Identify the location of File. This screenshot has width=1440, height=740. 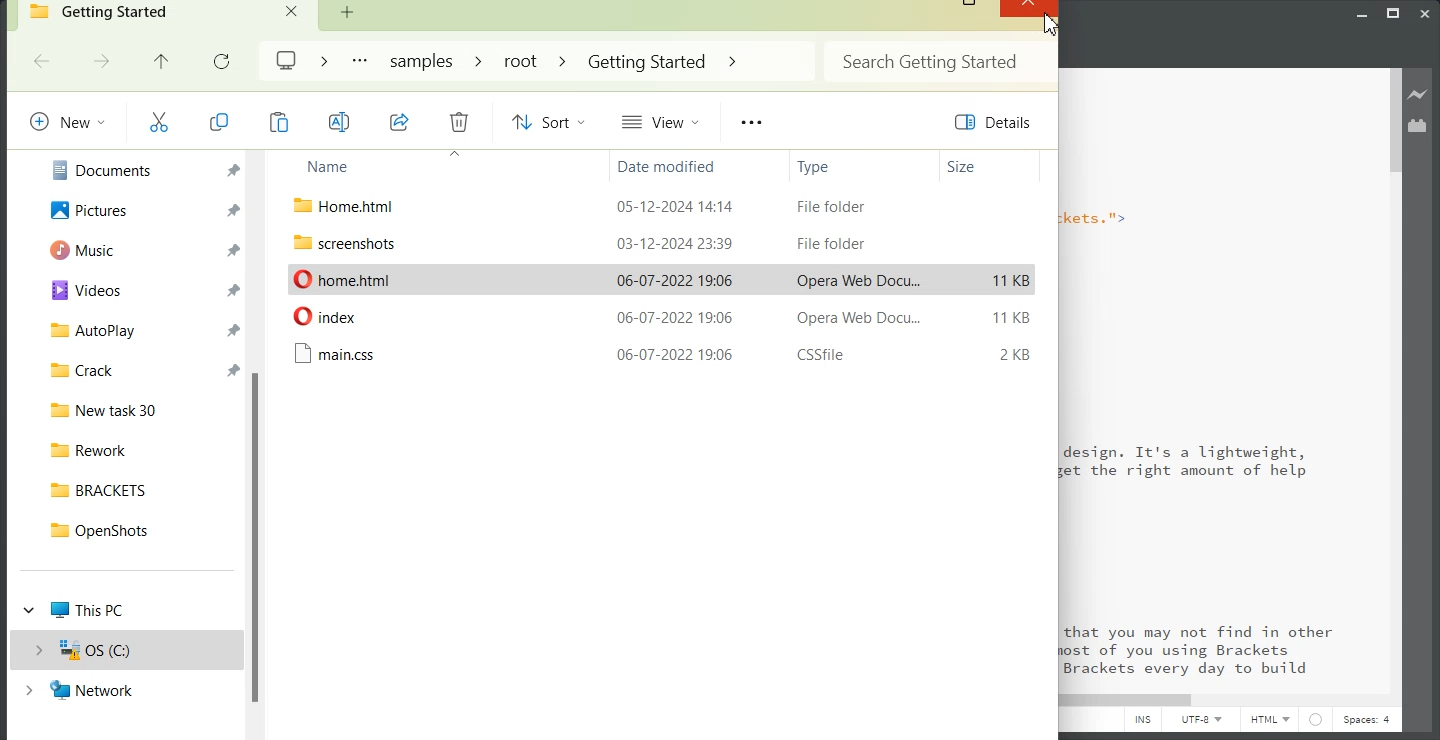
(345, 355).